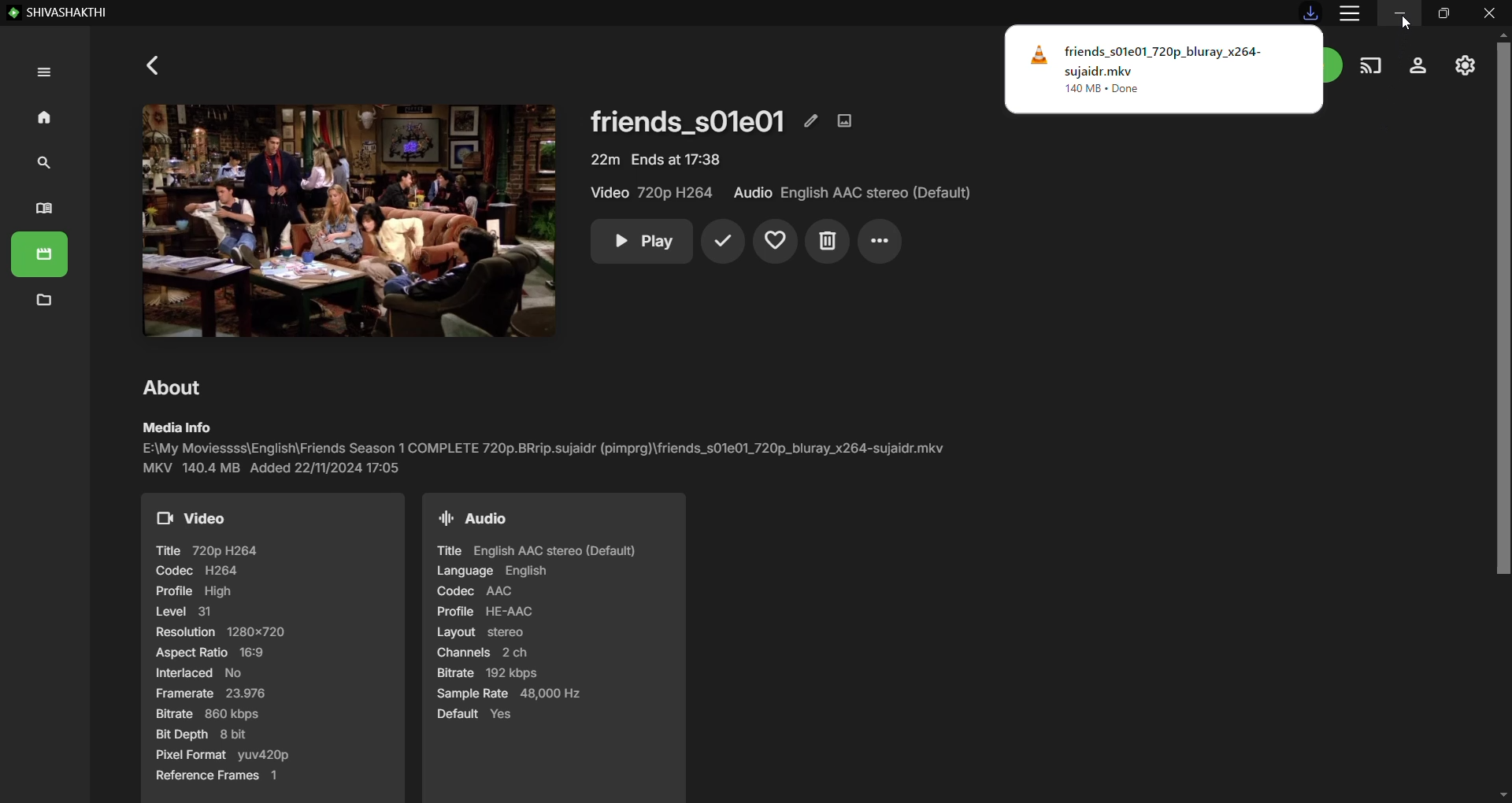  What do you see at coordinates (1465, 65) in the screenshot?
I see `Manage Emby Server` at bounding box center [1465, 65].